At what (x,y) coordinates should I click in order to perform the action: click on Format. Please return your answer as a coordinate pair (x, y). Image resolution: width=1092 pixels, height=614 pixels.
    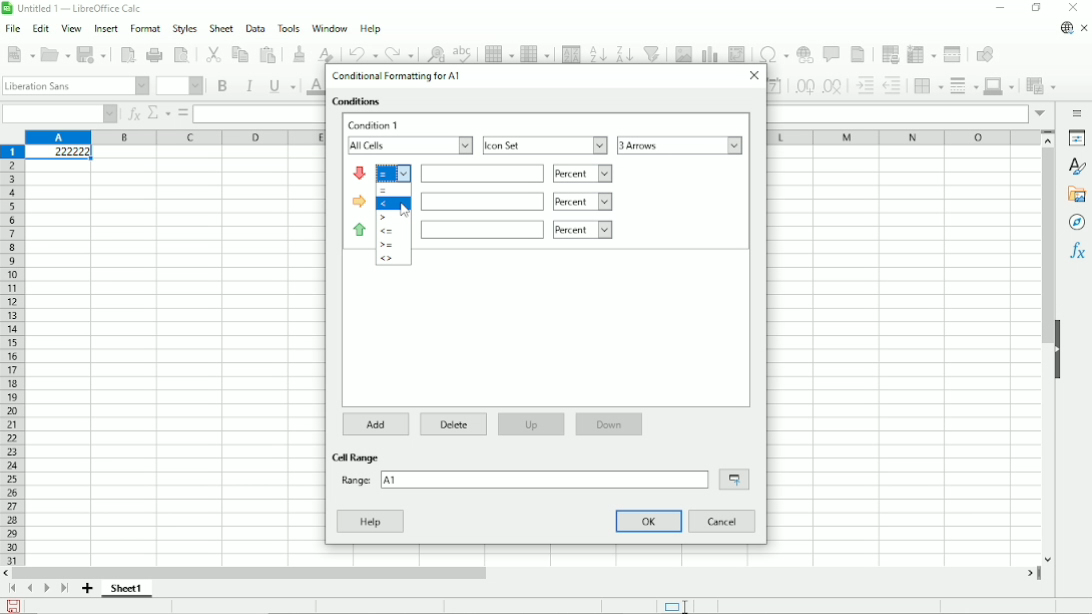
    Looking at the image, I should click on (145, 29).